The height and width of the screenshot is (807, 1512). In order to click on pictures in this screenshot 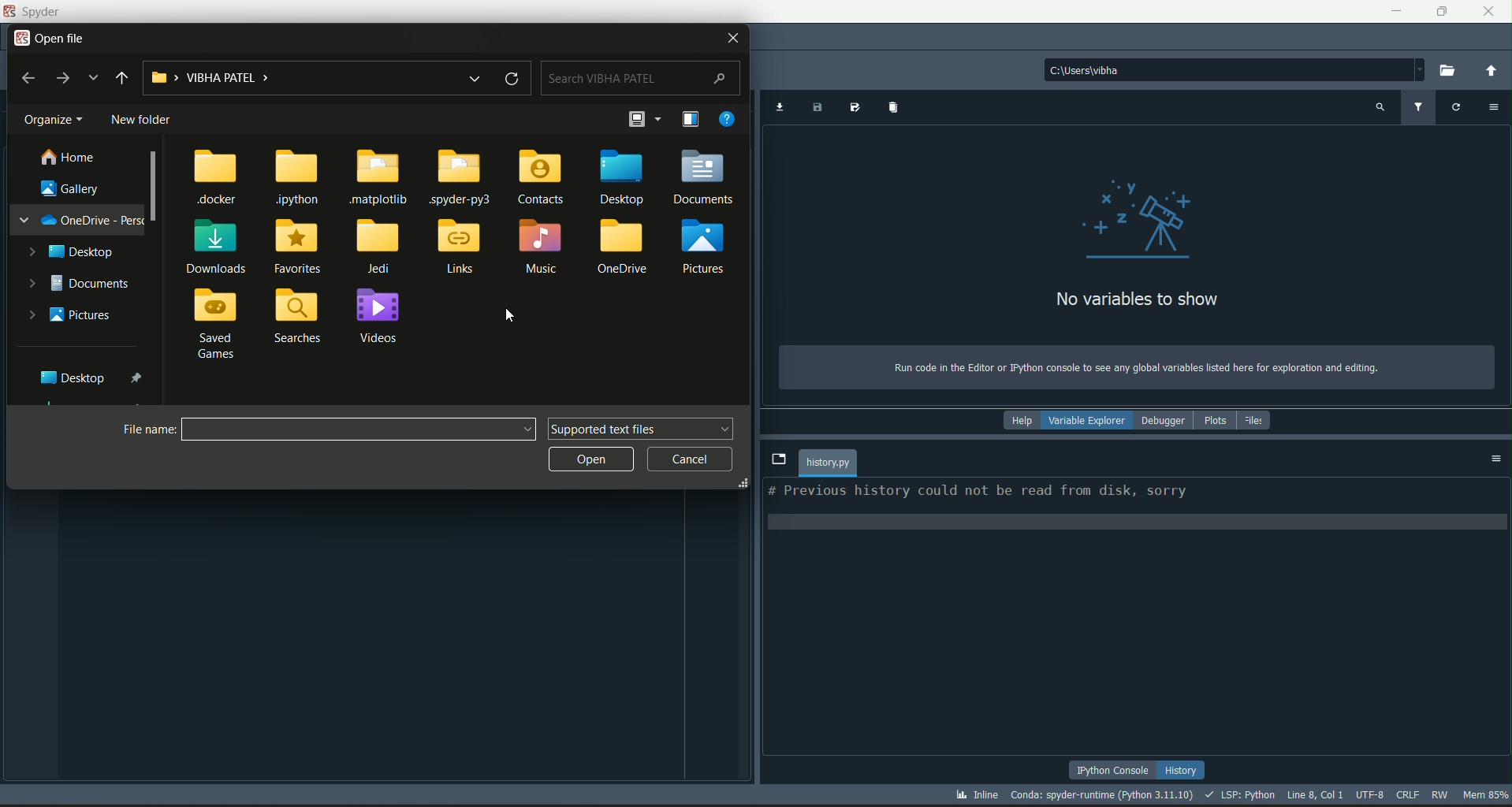, I will do `click(72, 315)`.